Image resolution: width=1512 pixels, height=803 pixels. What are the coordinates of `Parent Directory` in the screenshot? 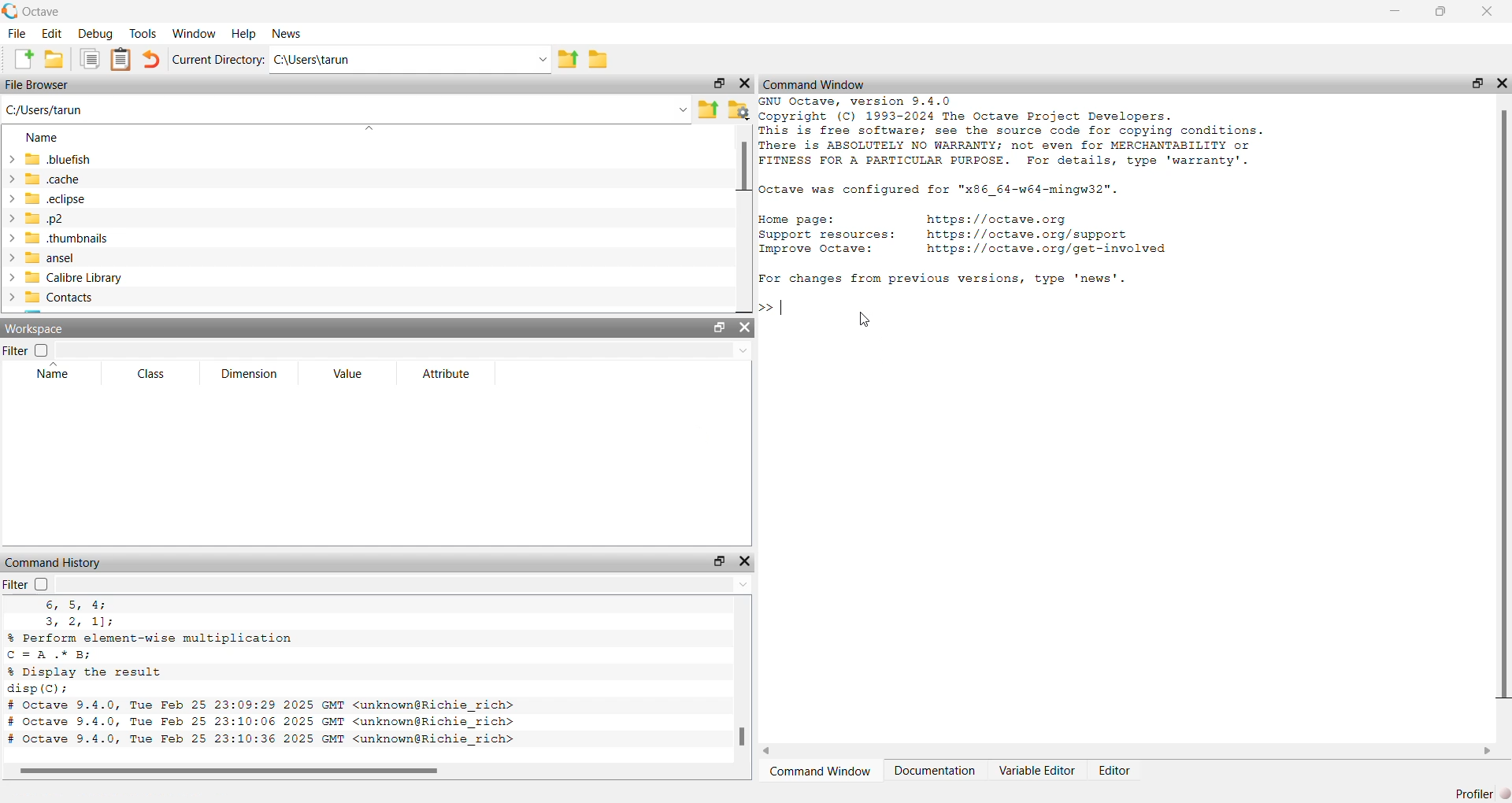 It's located at (567, 60).